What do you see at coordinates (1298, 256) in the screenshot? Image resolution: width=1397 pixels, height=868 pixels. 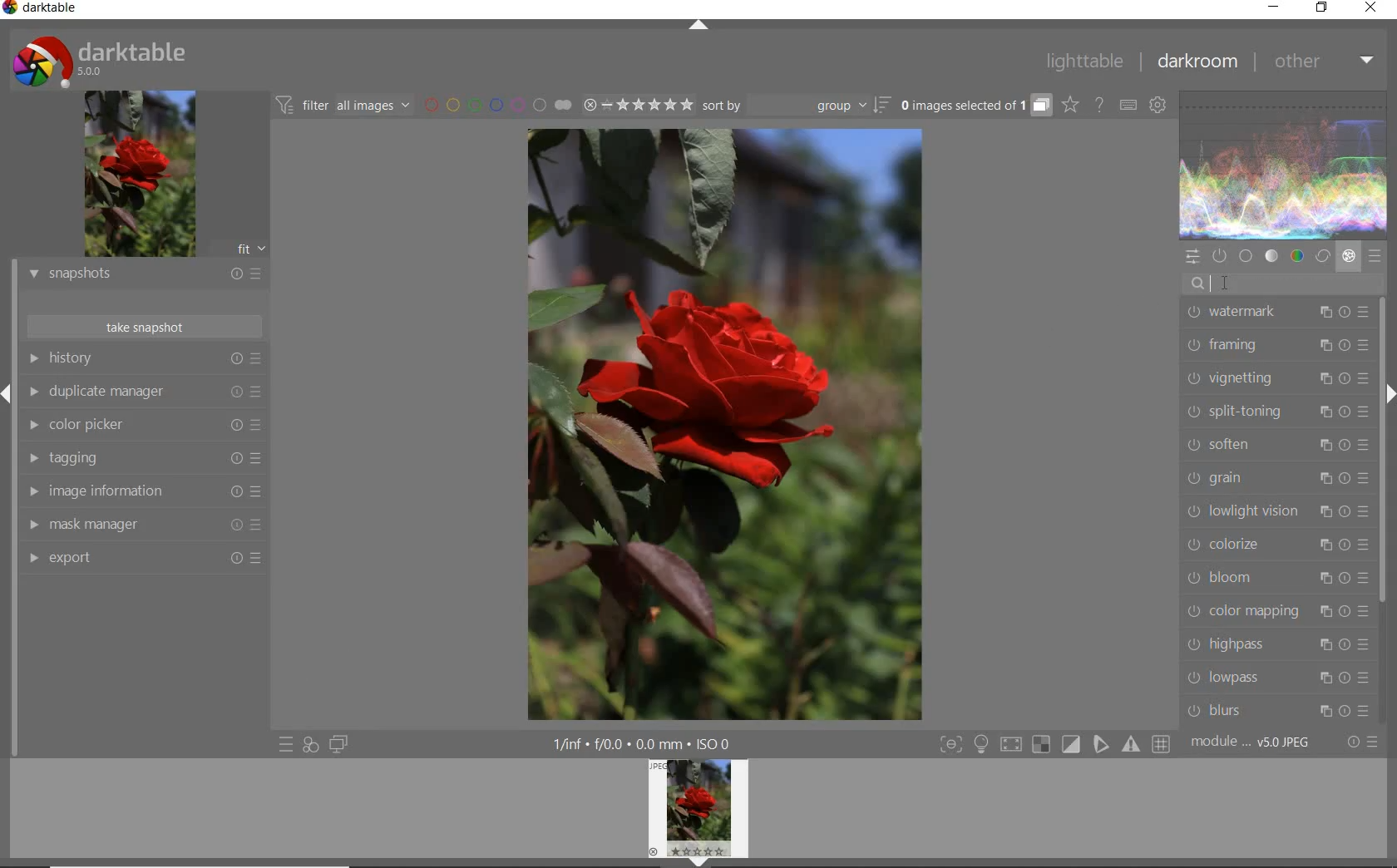 I see `color` at bounding box center [1298, 256].